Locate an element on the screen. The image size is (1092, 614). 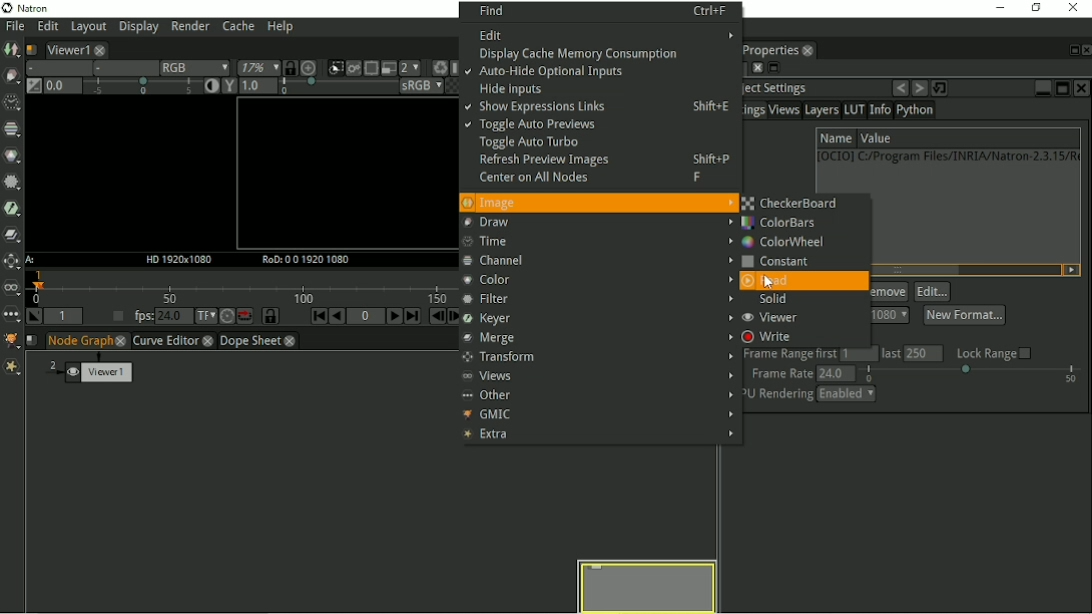
Display cahe memory consumption is located at coordinates (585, 54).